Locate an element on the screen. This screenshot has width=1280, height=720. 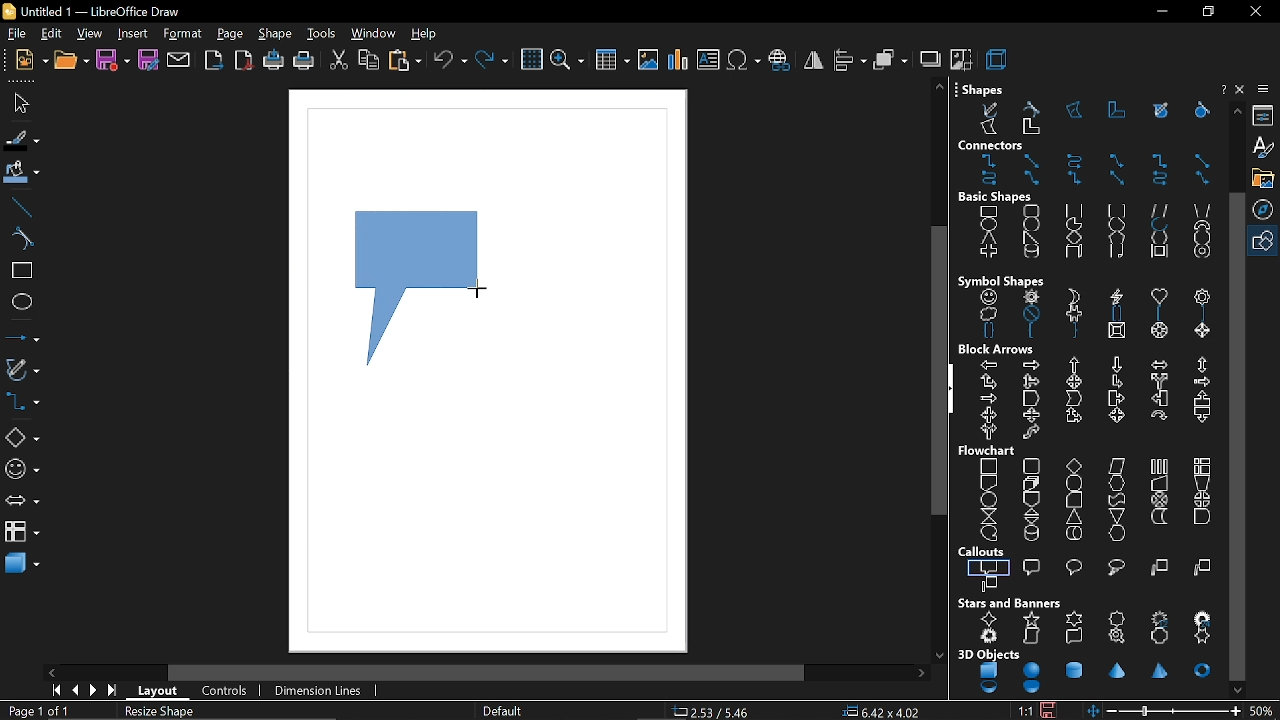
symbol shapes is located at coordinates (1002, 280).